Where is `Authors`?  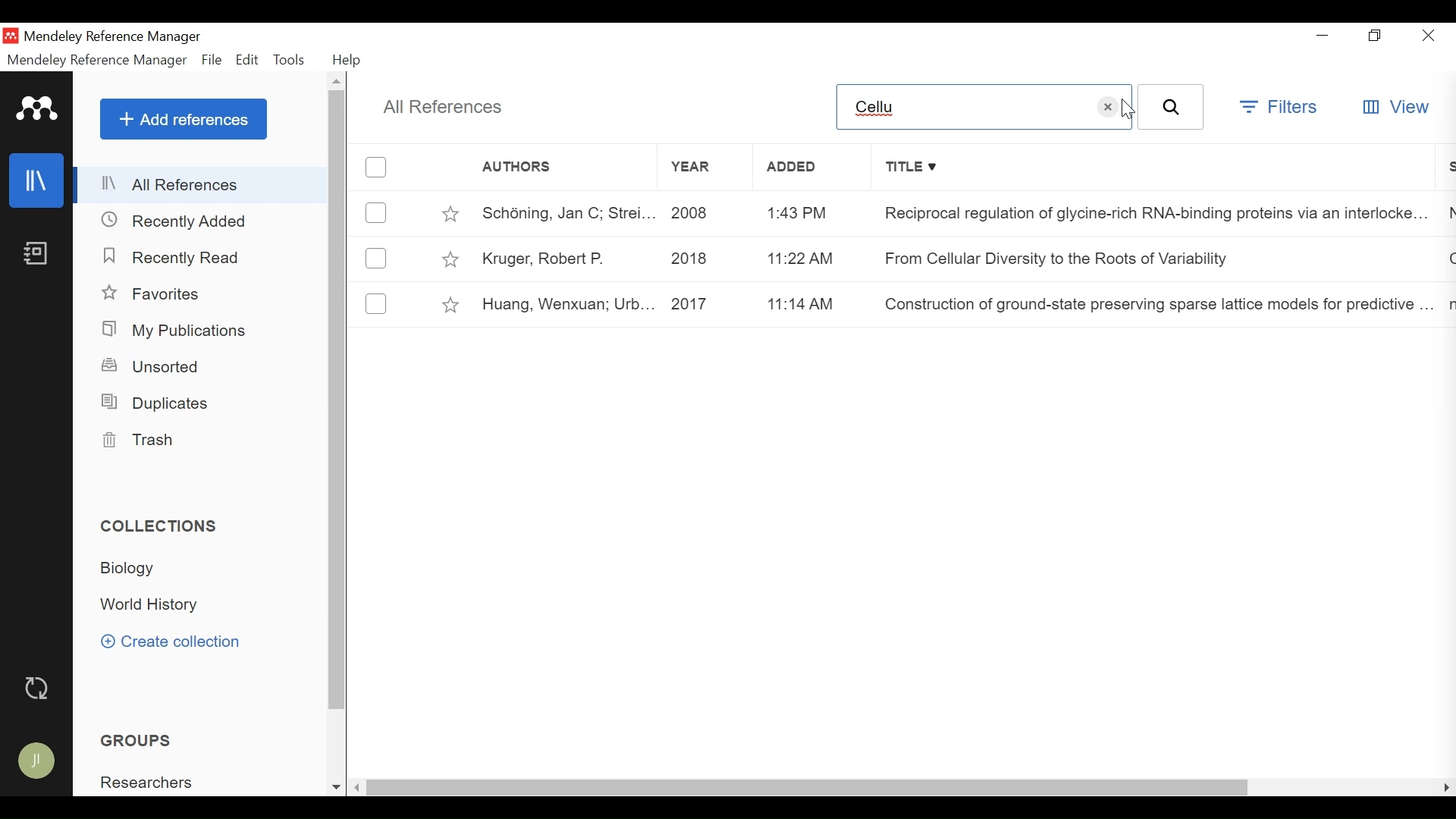 Authors is located at coordinates (547, 168).